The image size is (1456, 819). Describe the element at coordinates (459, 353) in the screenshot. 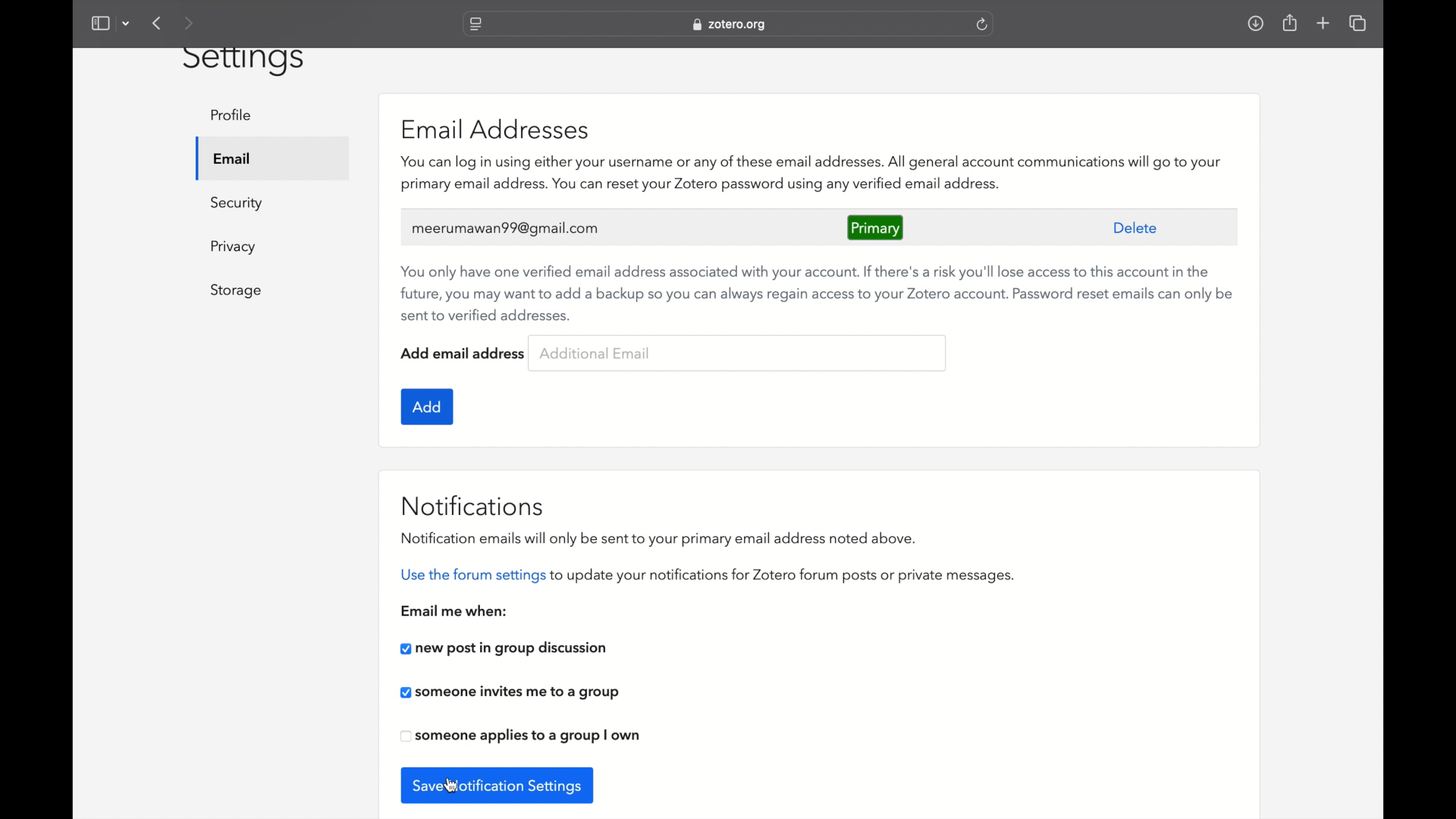

I see `add email address` at that location.